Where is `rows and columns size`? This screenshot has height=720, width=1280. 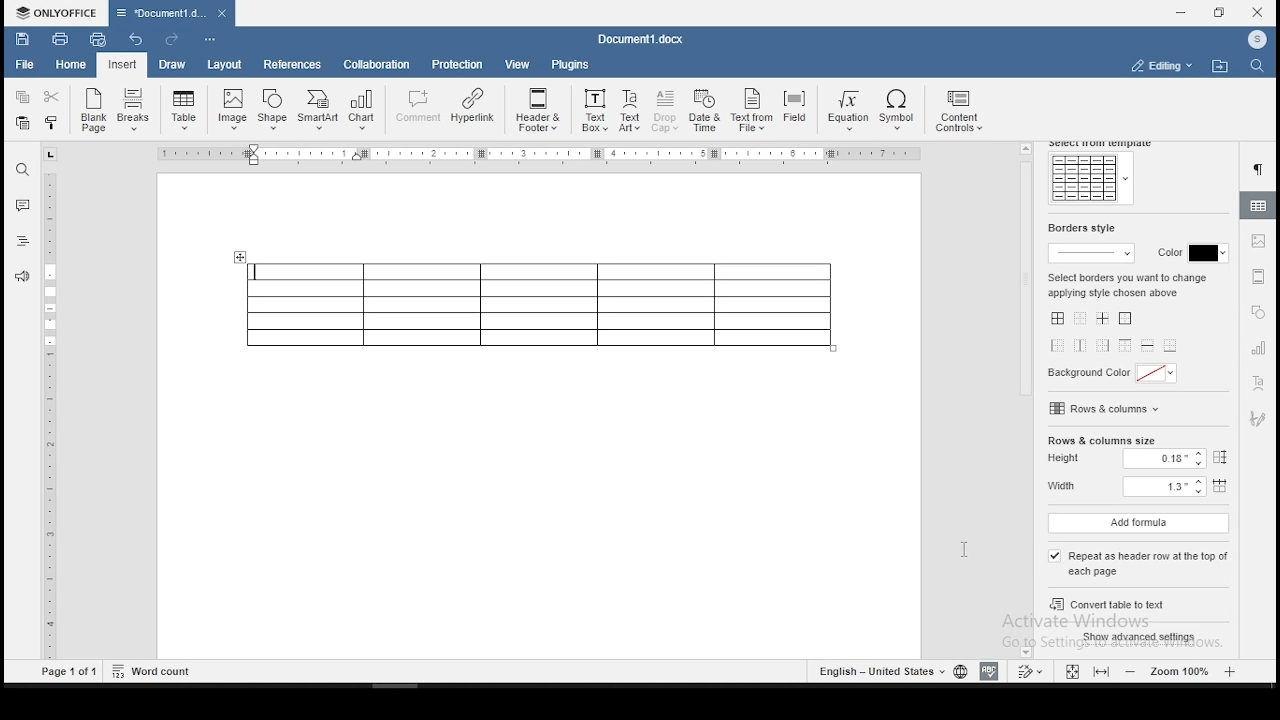
rows and columns size is located at coordinates (1101, 441).